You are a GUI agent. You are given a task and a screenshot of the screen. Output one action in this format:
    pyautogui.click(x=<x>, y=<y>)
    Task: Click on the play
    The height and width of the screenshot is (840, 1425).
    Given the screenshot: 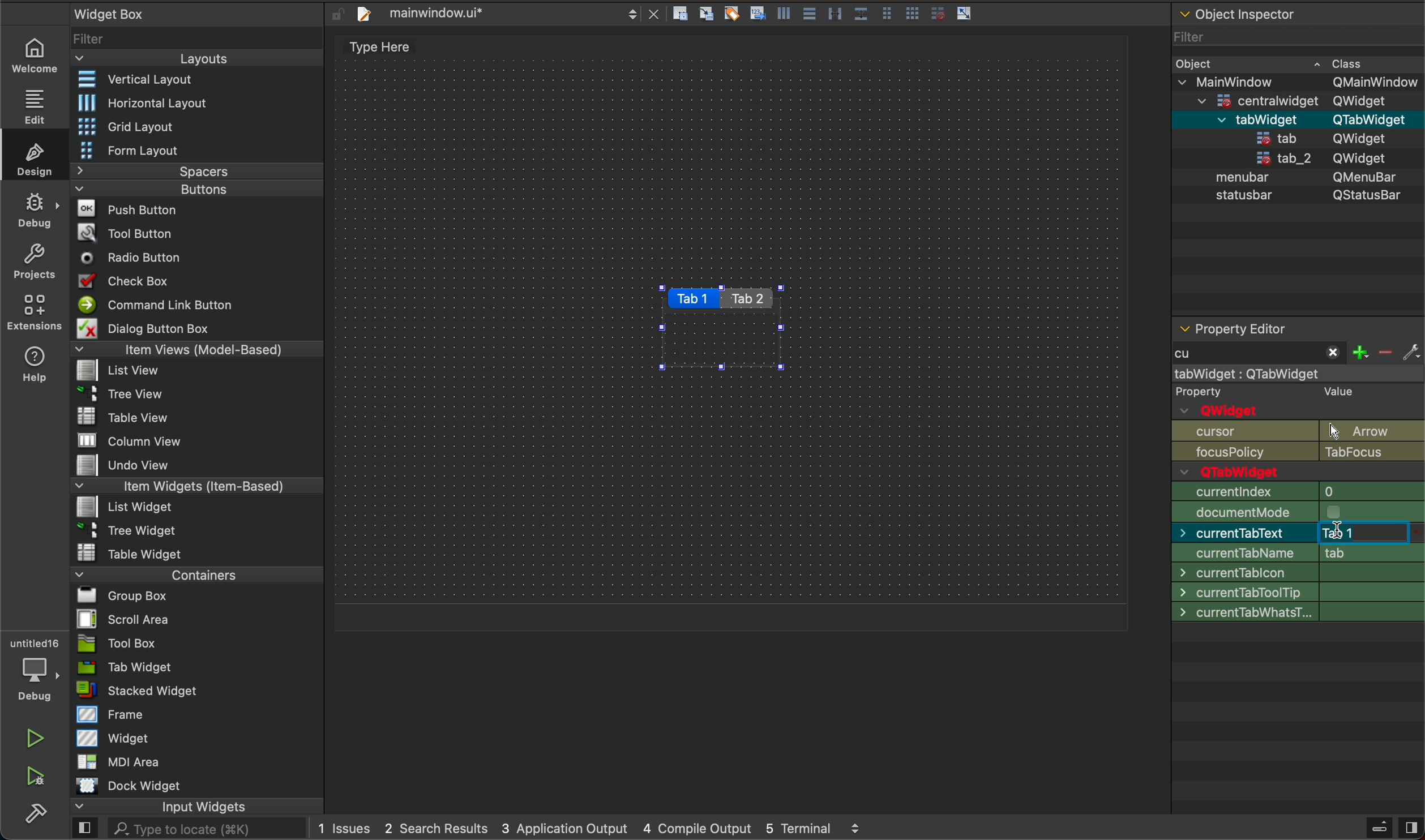 What is the action you would take?
    pyautogui.click(x=35, y=740)
    